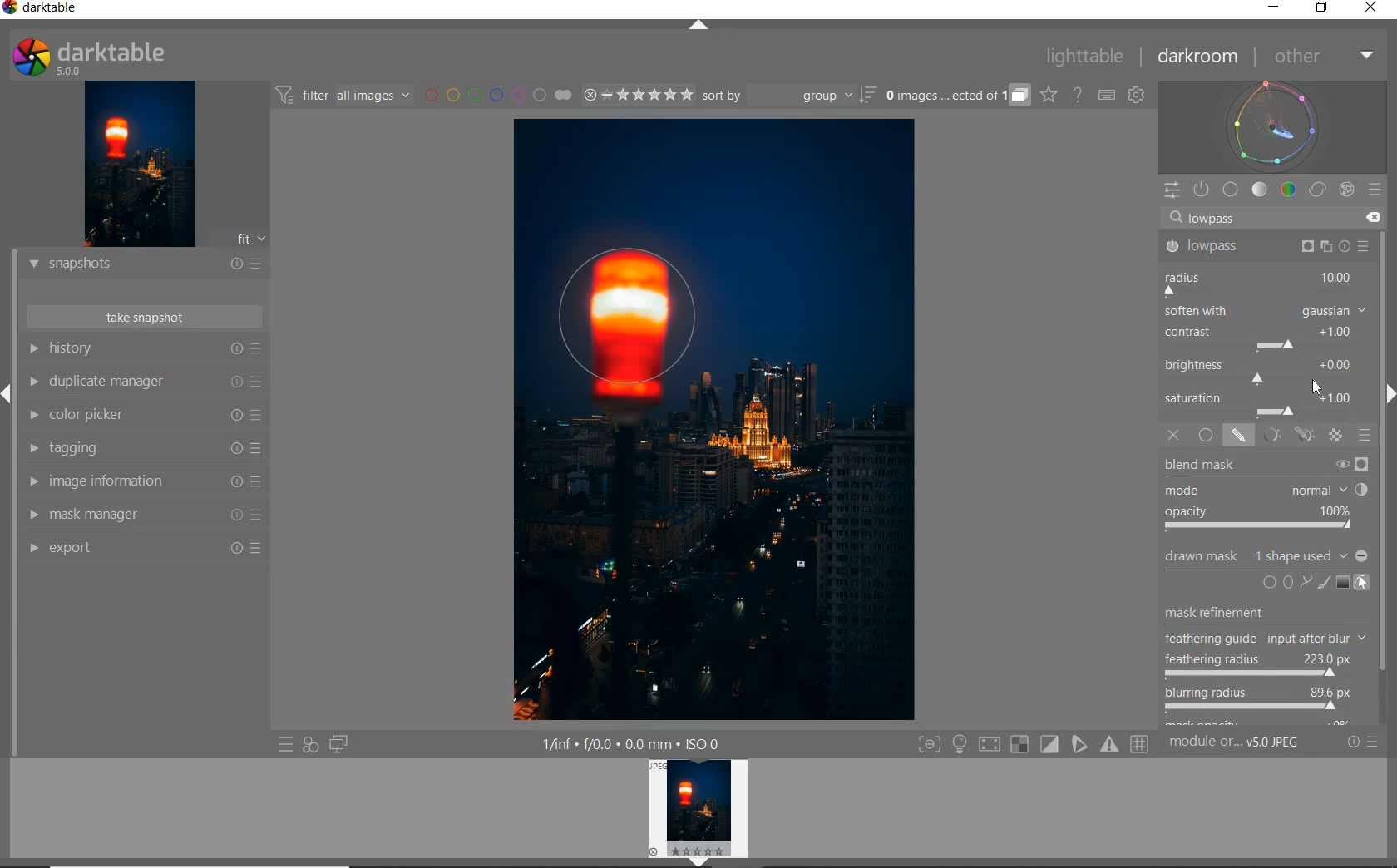 The image size is (1397, 868). I want to click on BRIGHTNESS, so click(1265, 370).